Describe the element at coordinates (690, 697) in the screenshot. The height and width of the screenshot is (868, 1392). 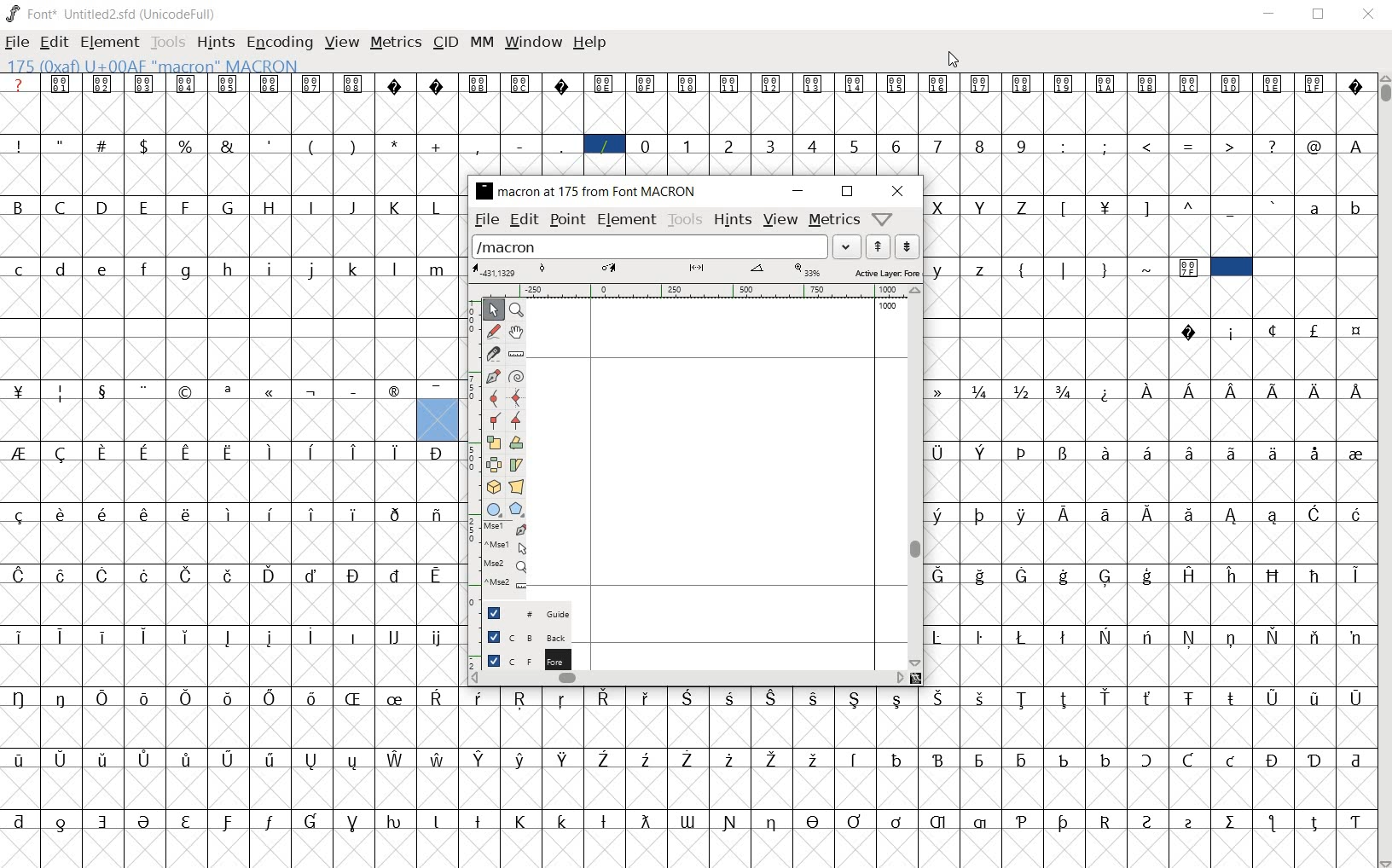
I see `Symbol` at that location.